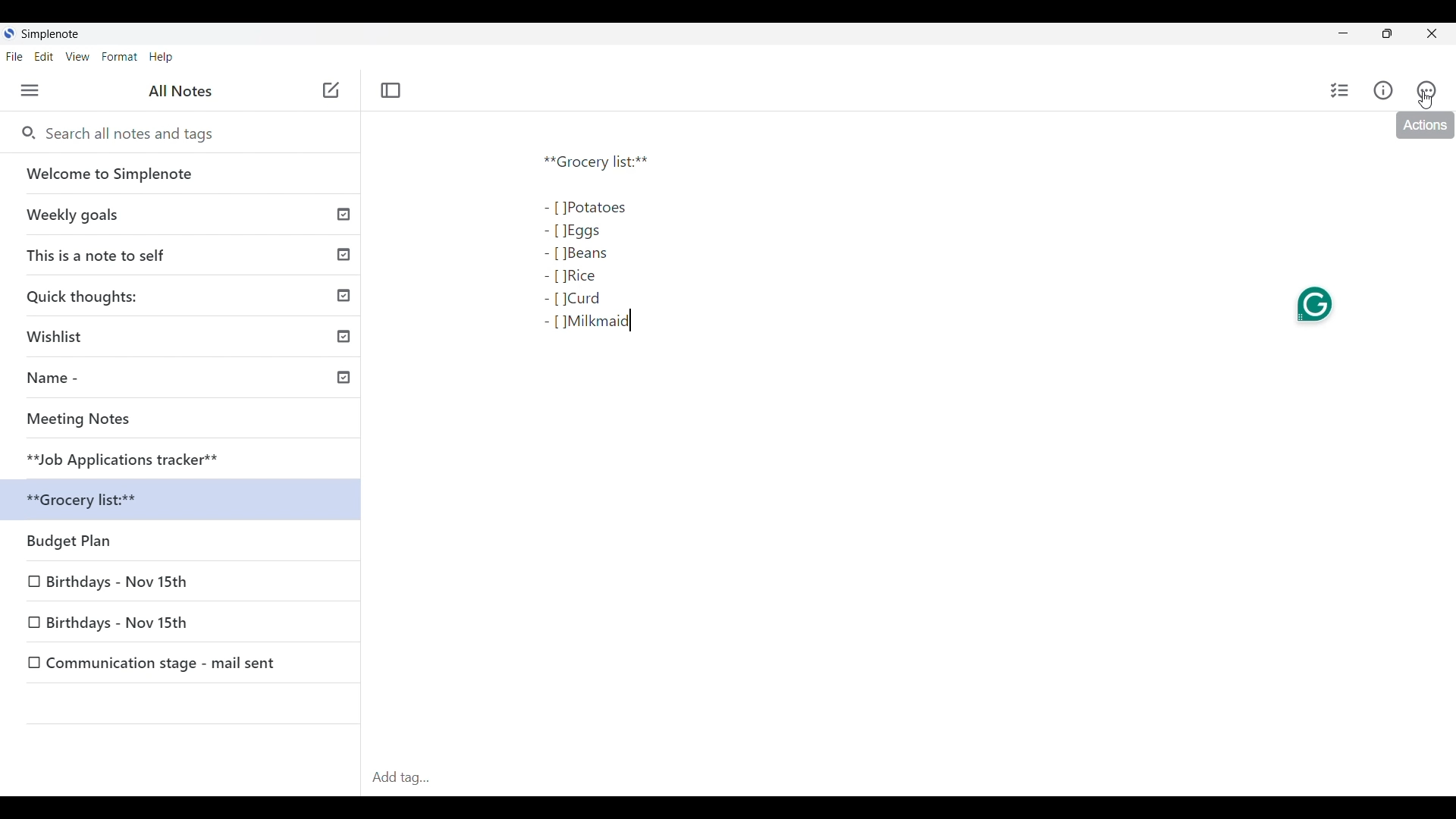 The height and width of the screenshot is (819, 1456). I want to click on Cursor, so click(1426, 100).